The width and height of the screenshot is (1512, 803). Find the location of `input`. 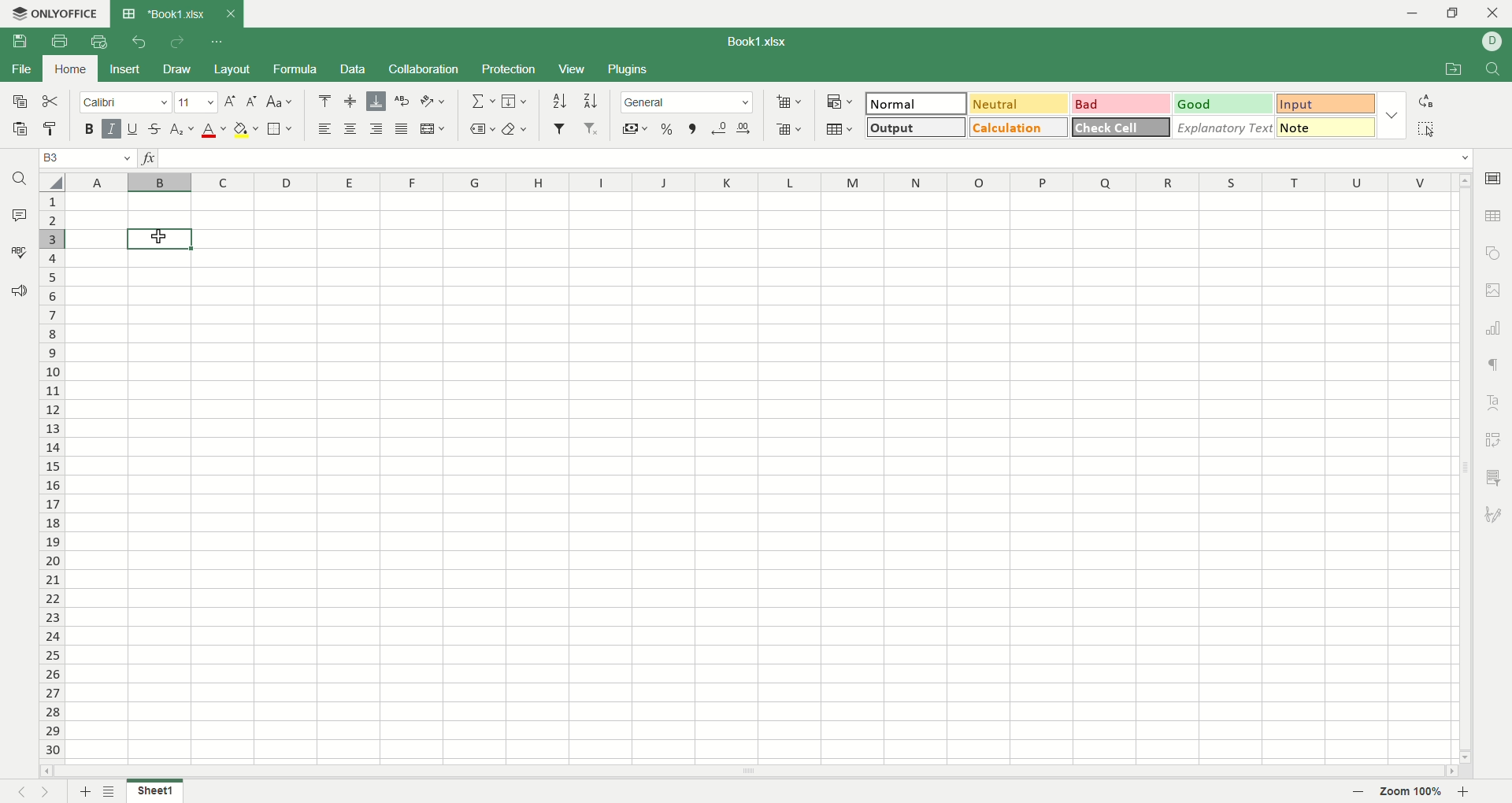

input is located at coordinates (1327, 127).